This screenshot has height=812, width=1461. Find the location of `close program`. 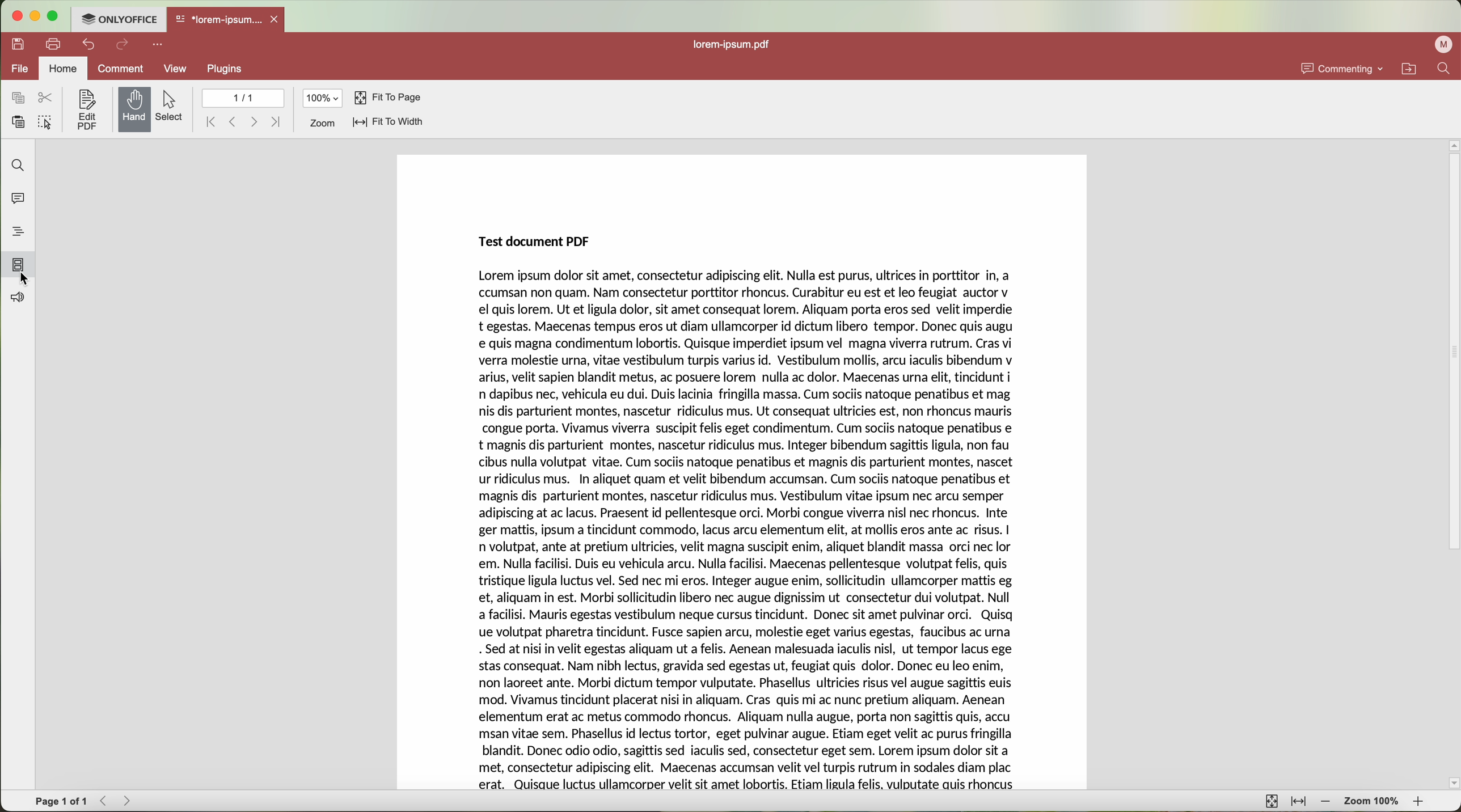

close program is located at coordinates (13, 16).